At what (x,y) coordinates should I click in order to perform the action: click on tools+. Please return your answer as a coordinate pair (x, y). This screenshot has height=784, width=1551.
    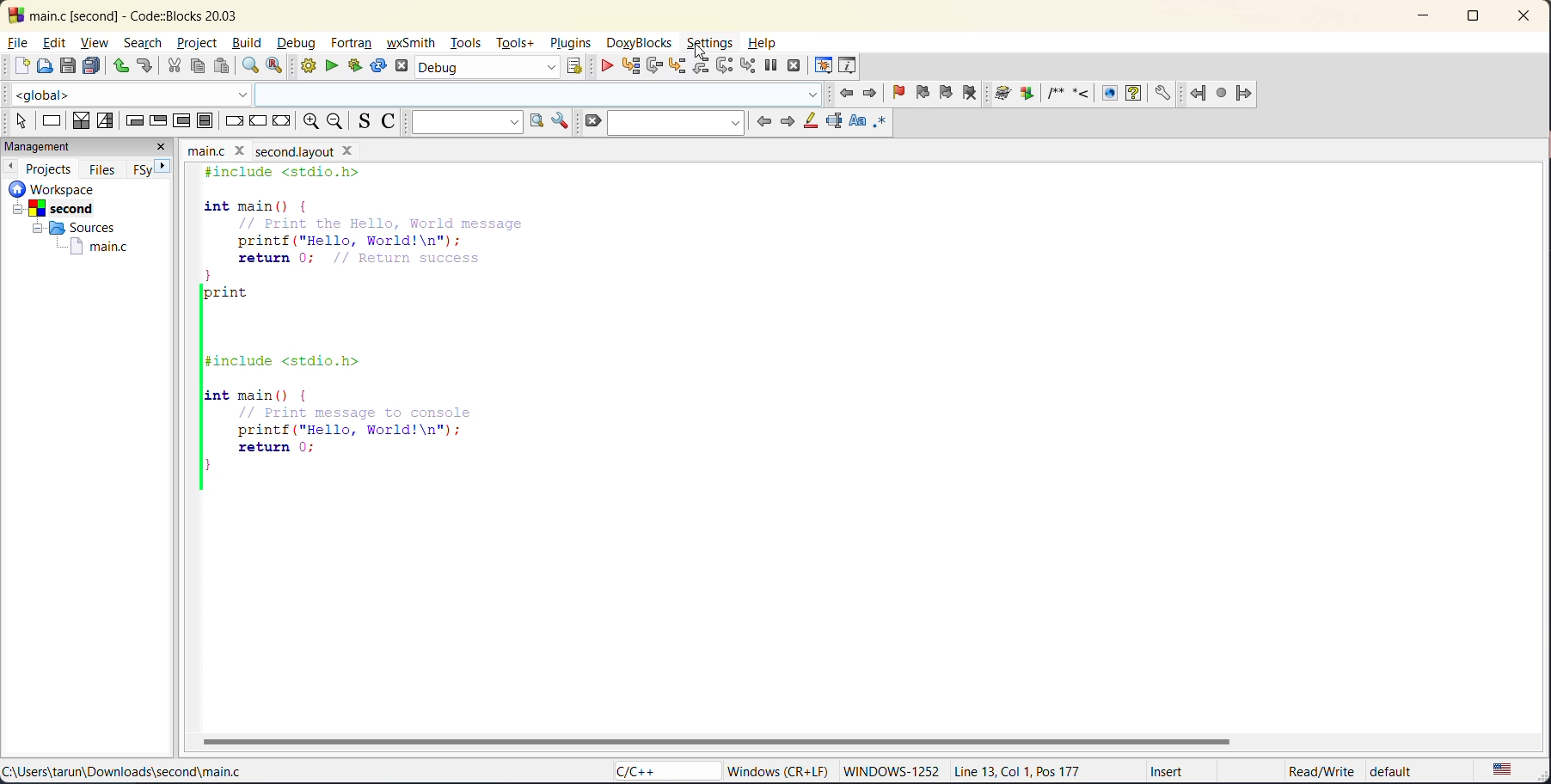
    Looking at the image, I should click on (518, 44).